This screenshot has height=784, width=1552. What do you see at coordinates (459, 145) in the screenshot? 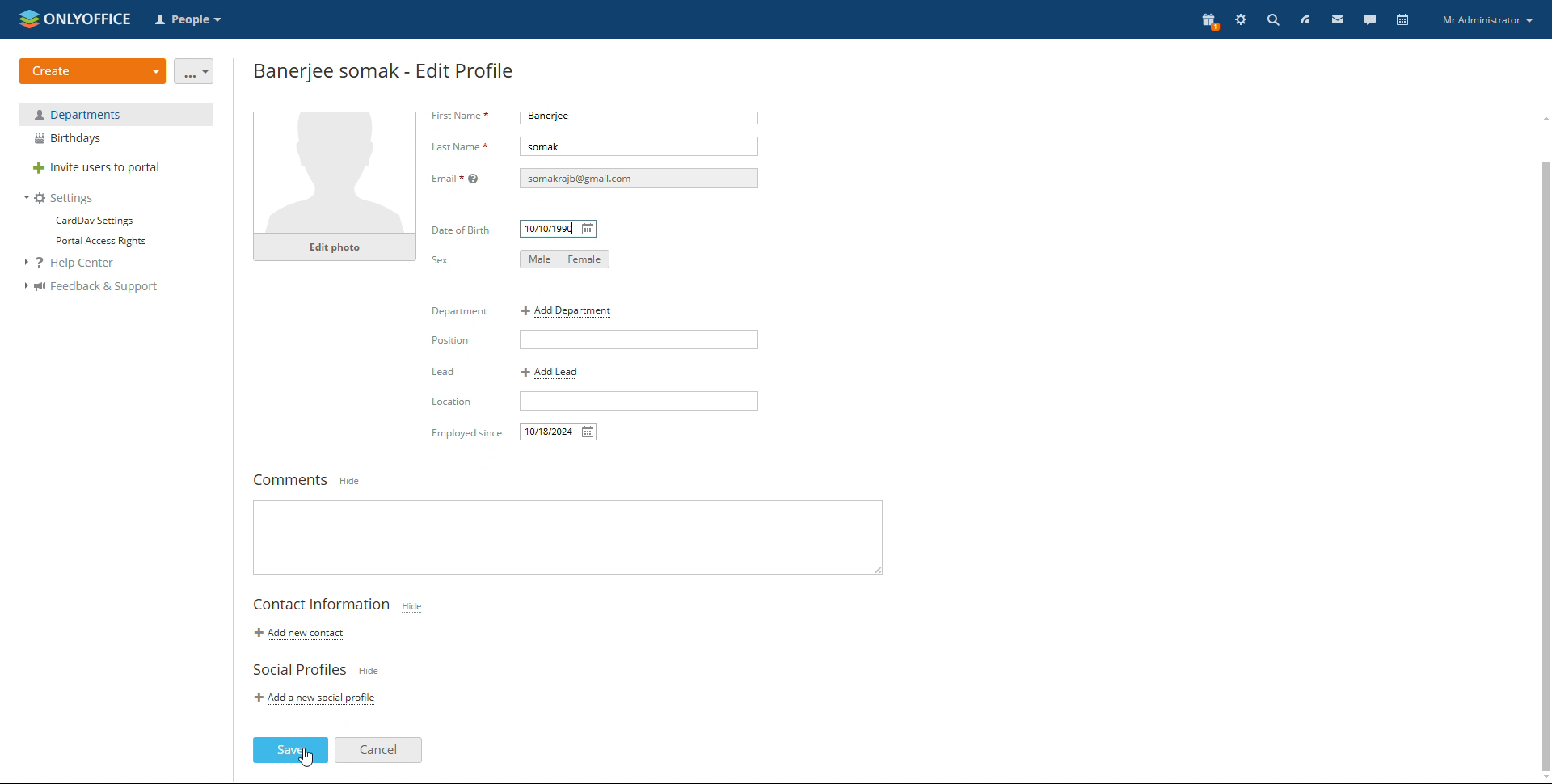
I see `Last Name *` at bounding box center [459, 145].